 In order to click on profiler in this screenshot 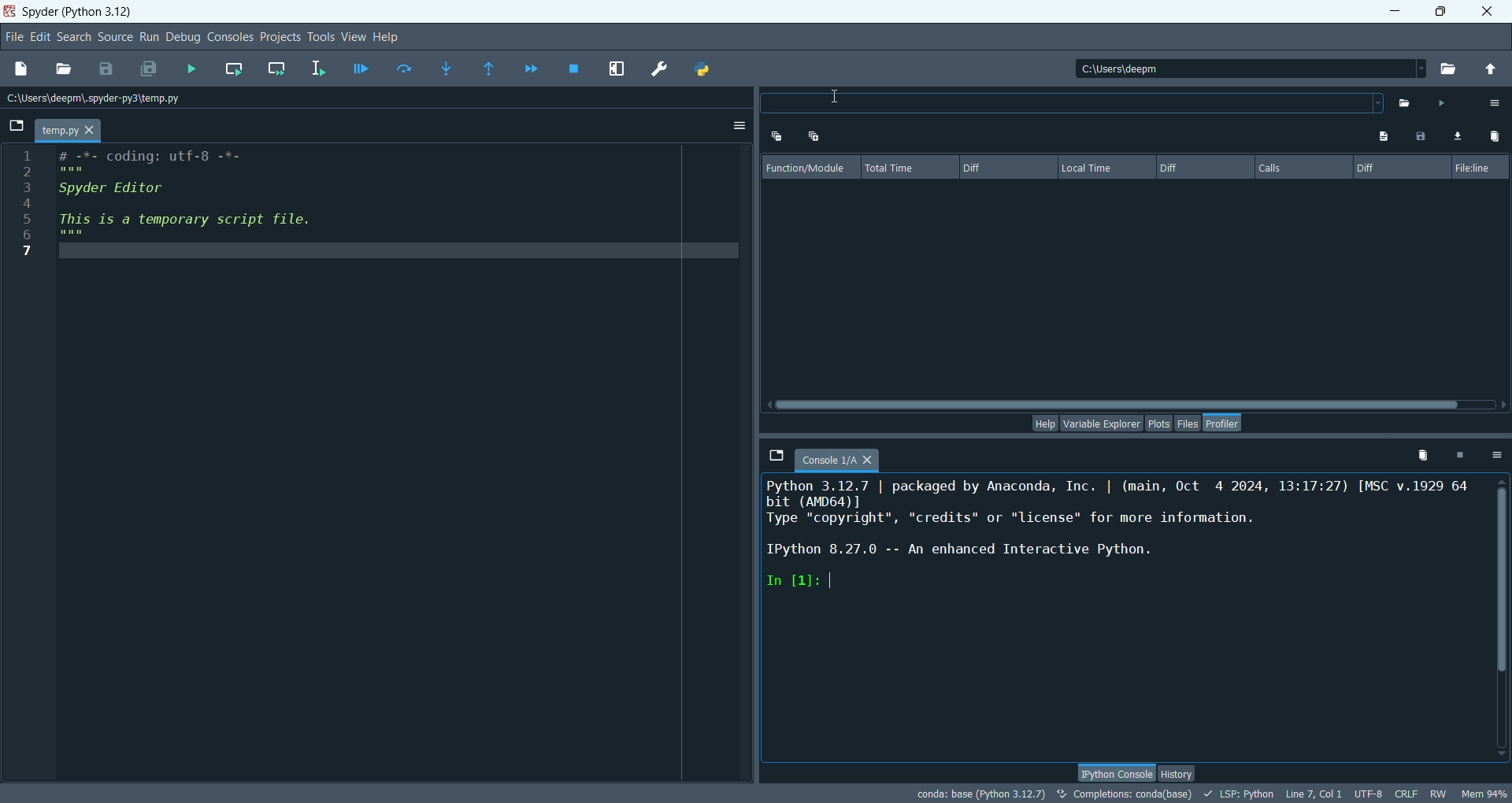, I will do `click(1225, 424)`.